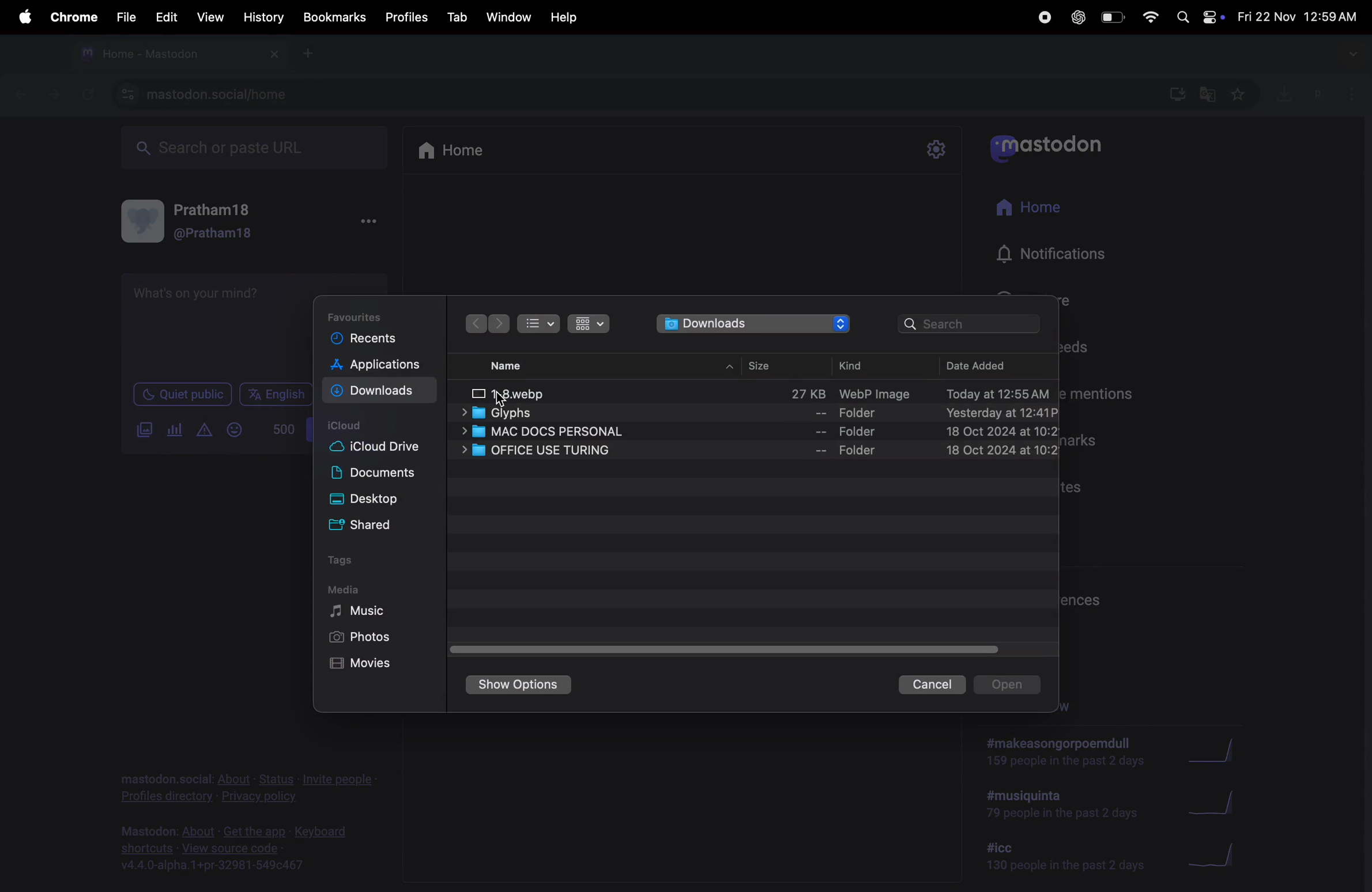 This screenshot has width=1372, height=892. What do you see at coordinates (1148, 16) in the screenshot?
I see `wifi` at bounding box center [1148, 16].